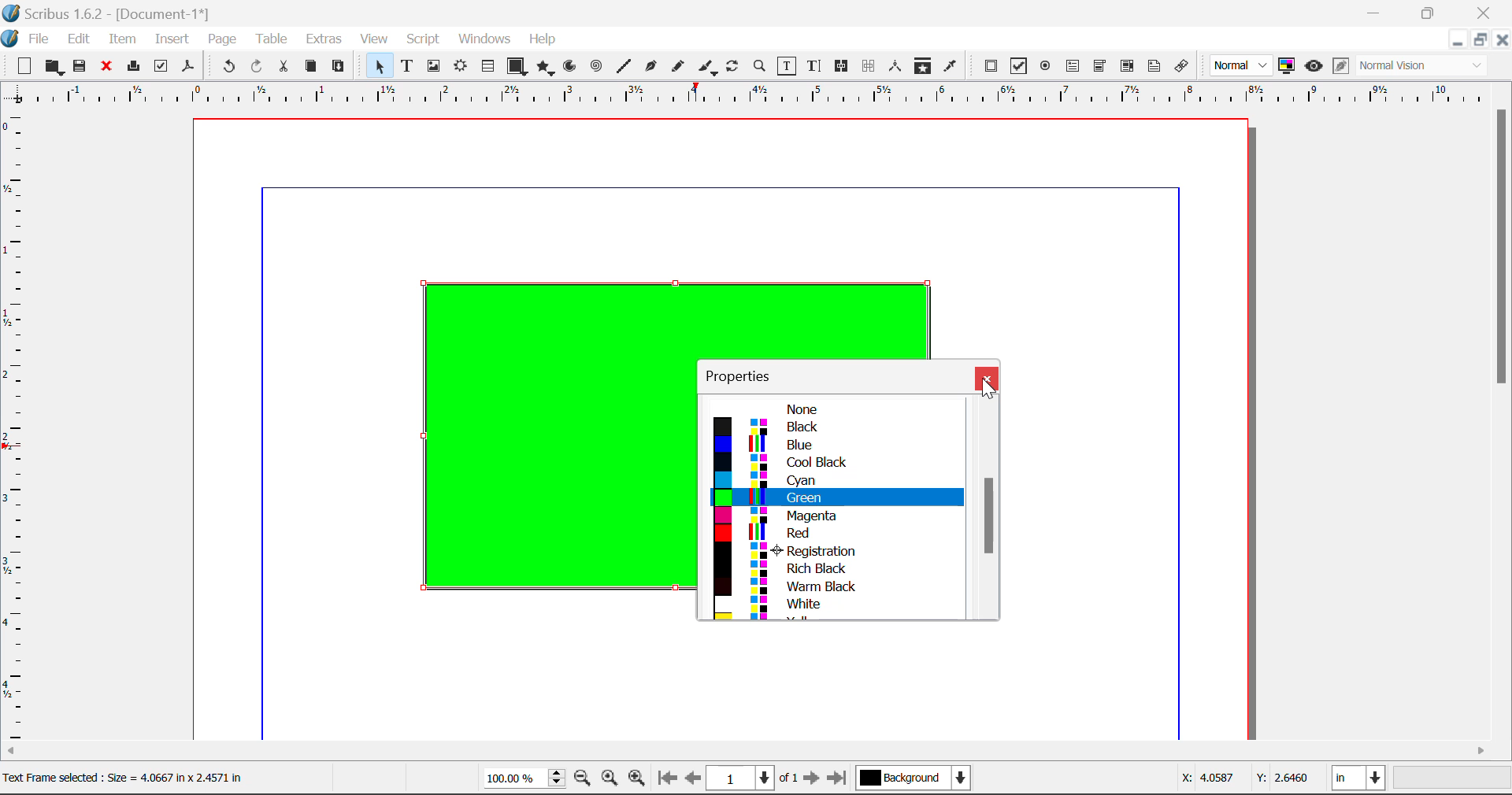  Describe the element at coordinates (28, 37) in the screenshot. I see `File` at that location.